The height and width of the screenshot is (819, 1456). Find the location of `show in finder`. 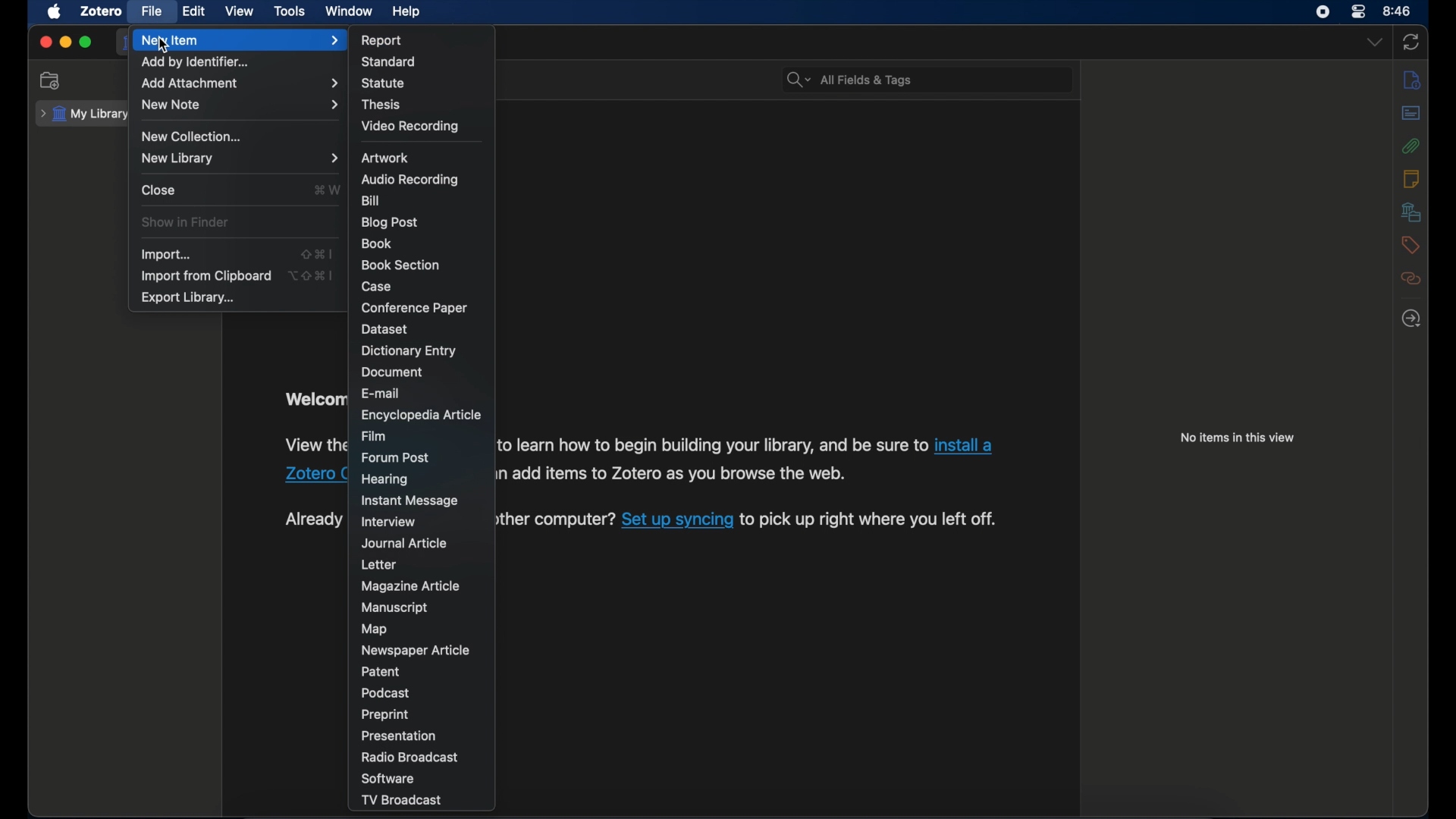

show in finder is located at coordinates (184, 222).